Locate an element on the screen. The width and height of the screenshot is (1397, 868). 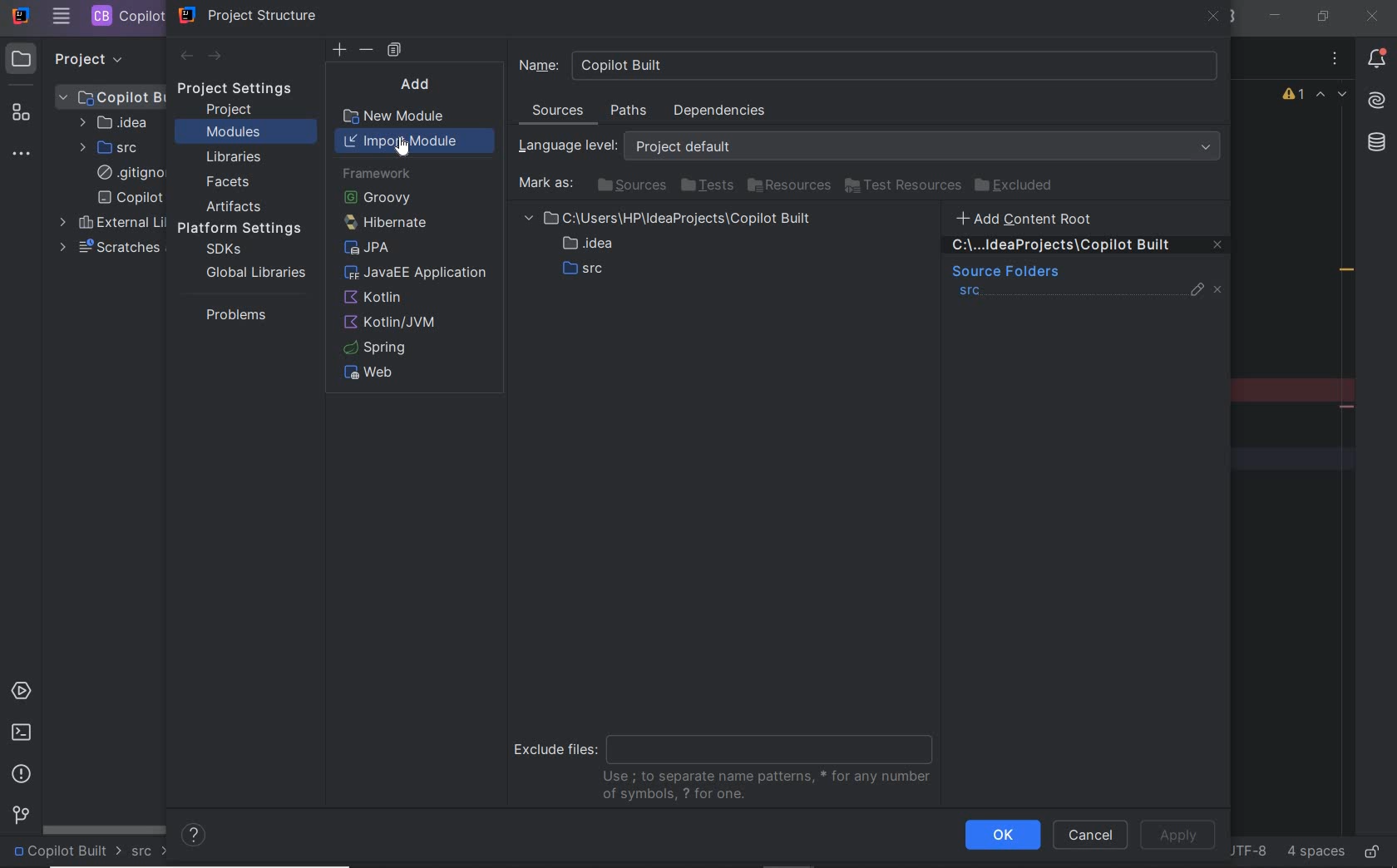
remove line is located at coordinates (1349, 407).